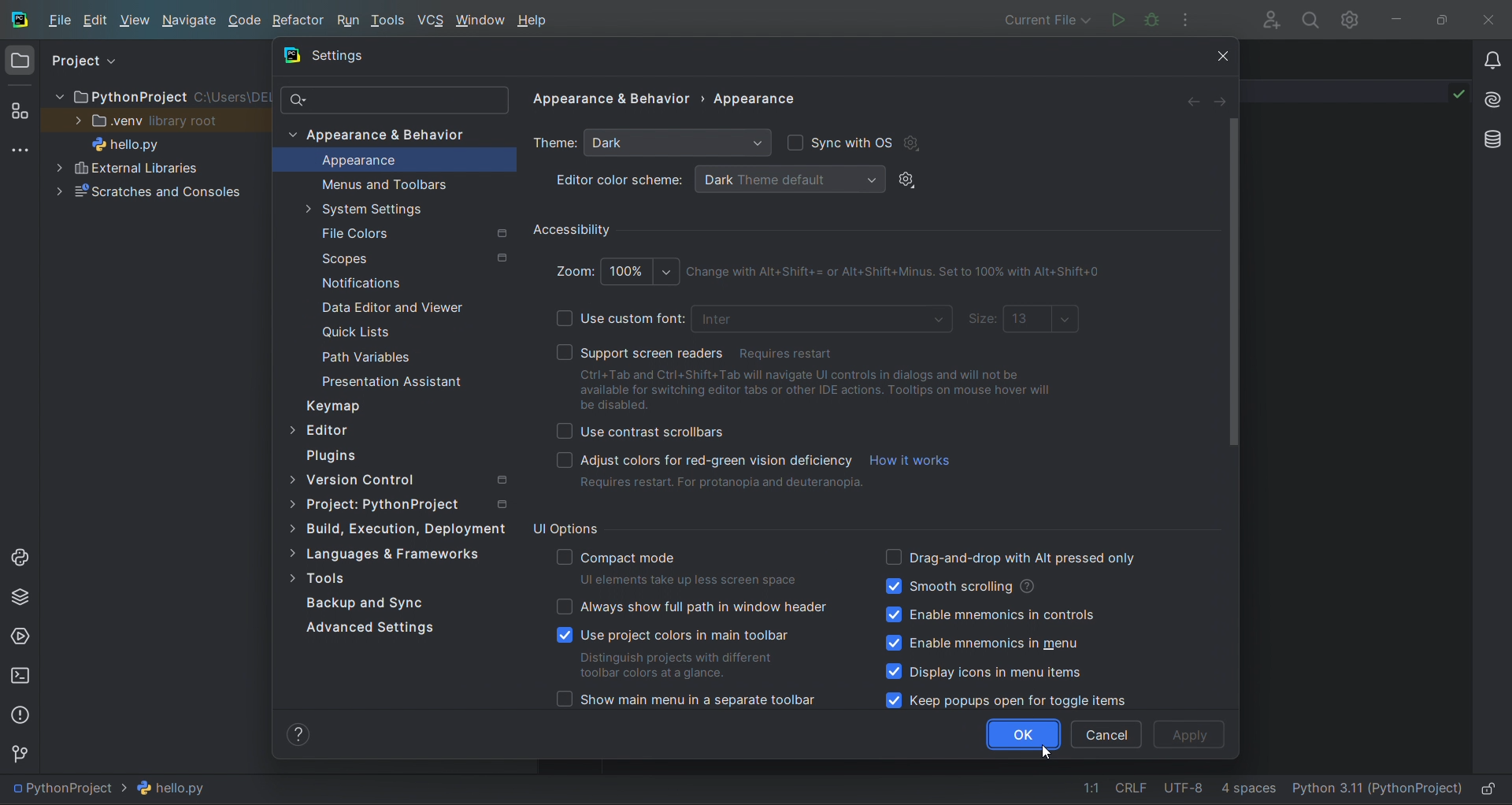 This screenshot has height=805, width=1512. I want to click on tools, so click(388, 20).